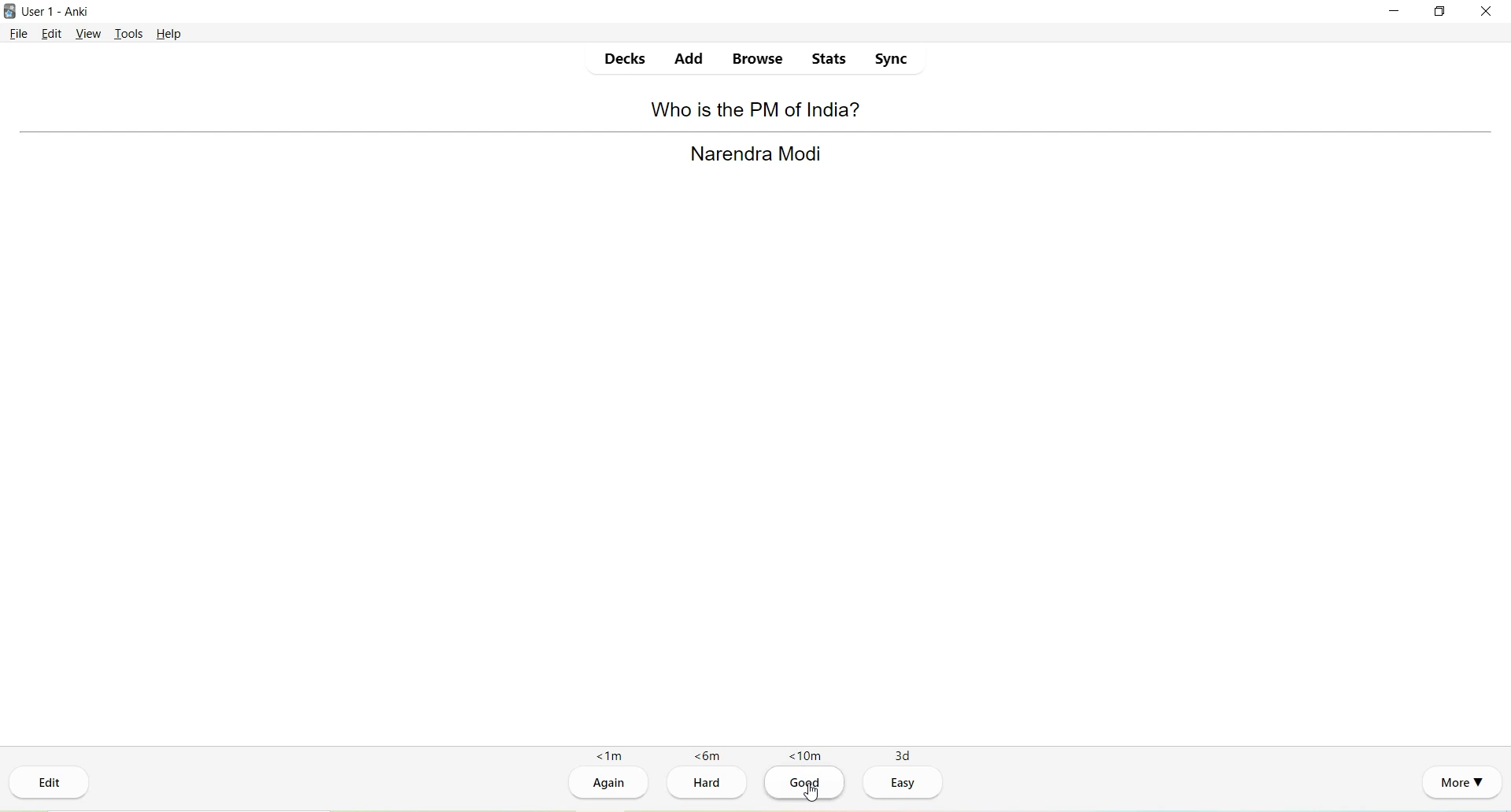 The width and height of the screenshot is (1511, 812). Describe the element at coordinates (170, 35) in the screenshot. I see `Help` at that location.